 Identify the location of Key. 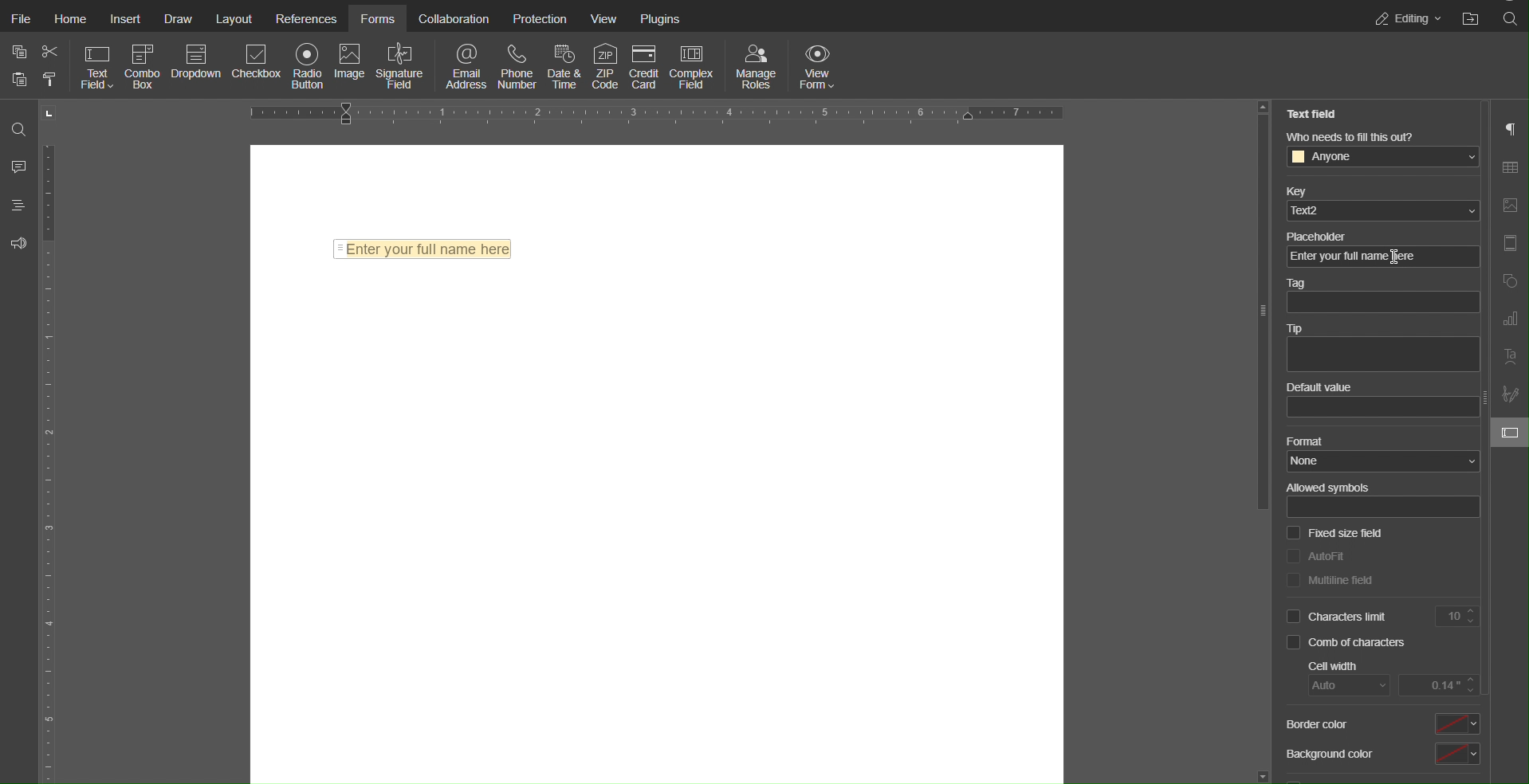
(1379, 202).